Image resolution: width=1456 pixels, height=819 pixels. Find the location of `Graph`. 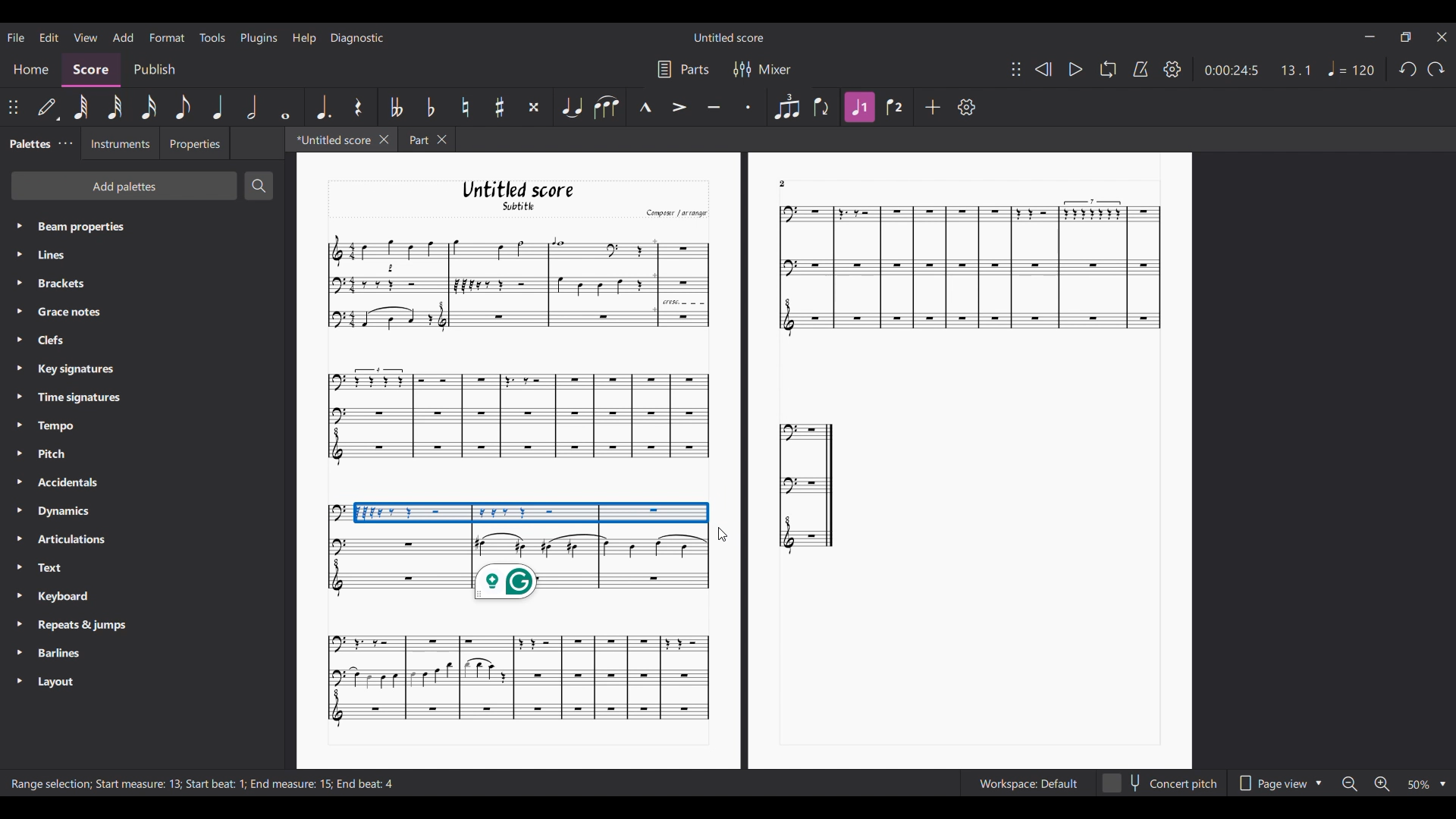

Graph is located at coordinates (516, 417).